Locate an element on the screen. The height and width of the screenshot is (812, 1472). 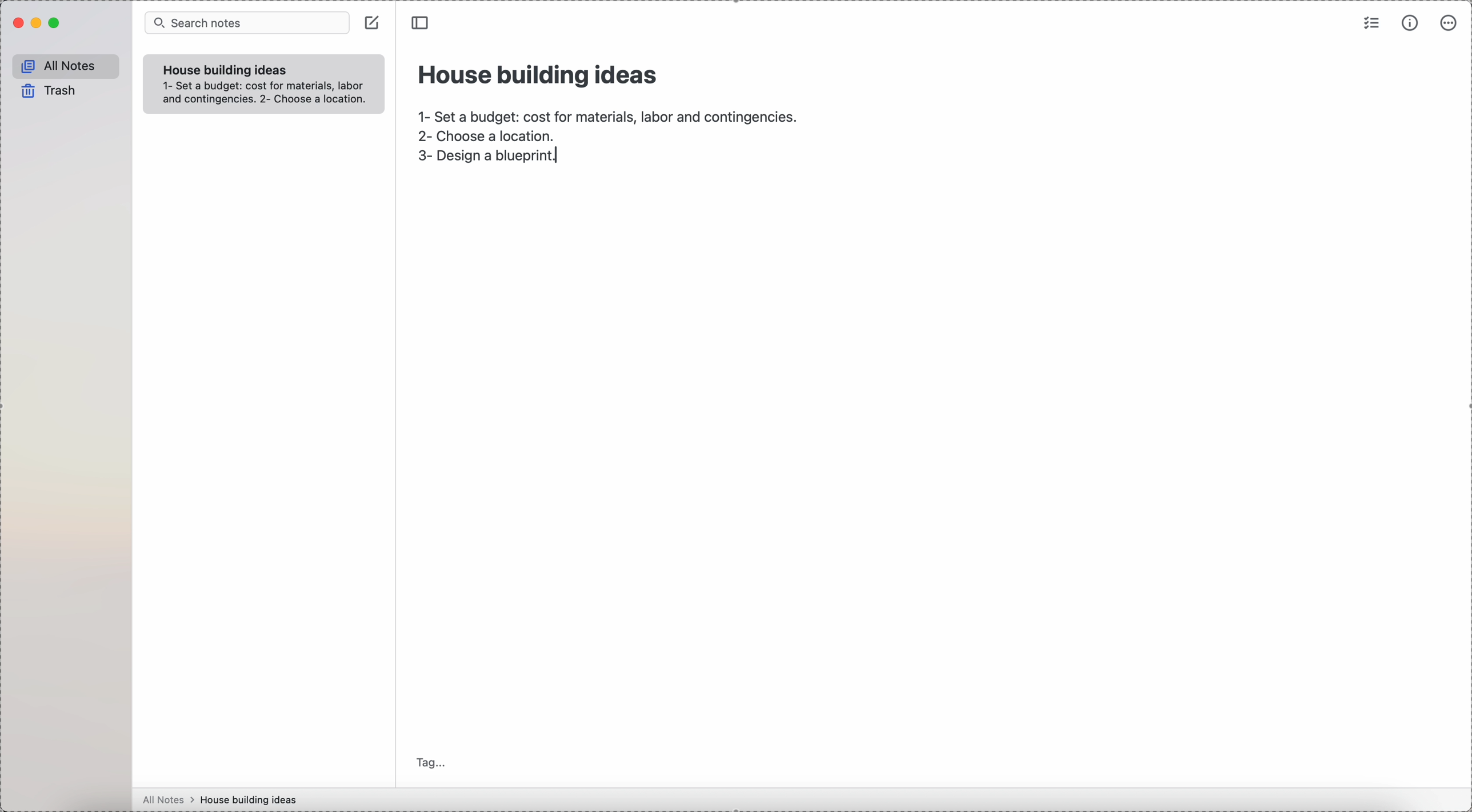
minimize Simplenote is located at coordinates (38, 25).